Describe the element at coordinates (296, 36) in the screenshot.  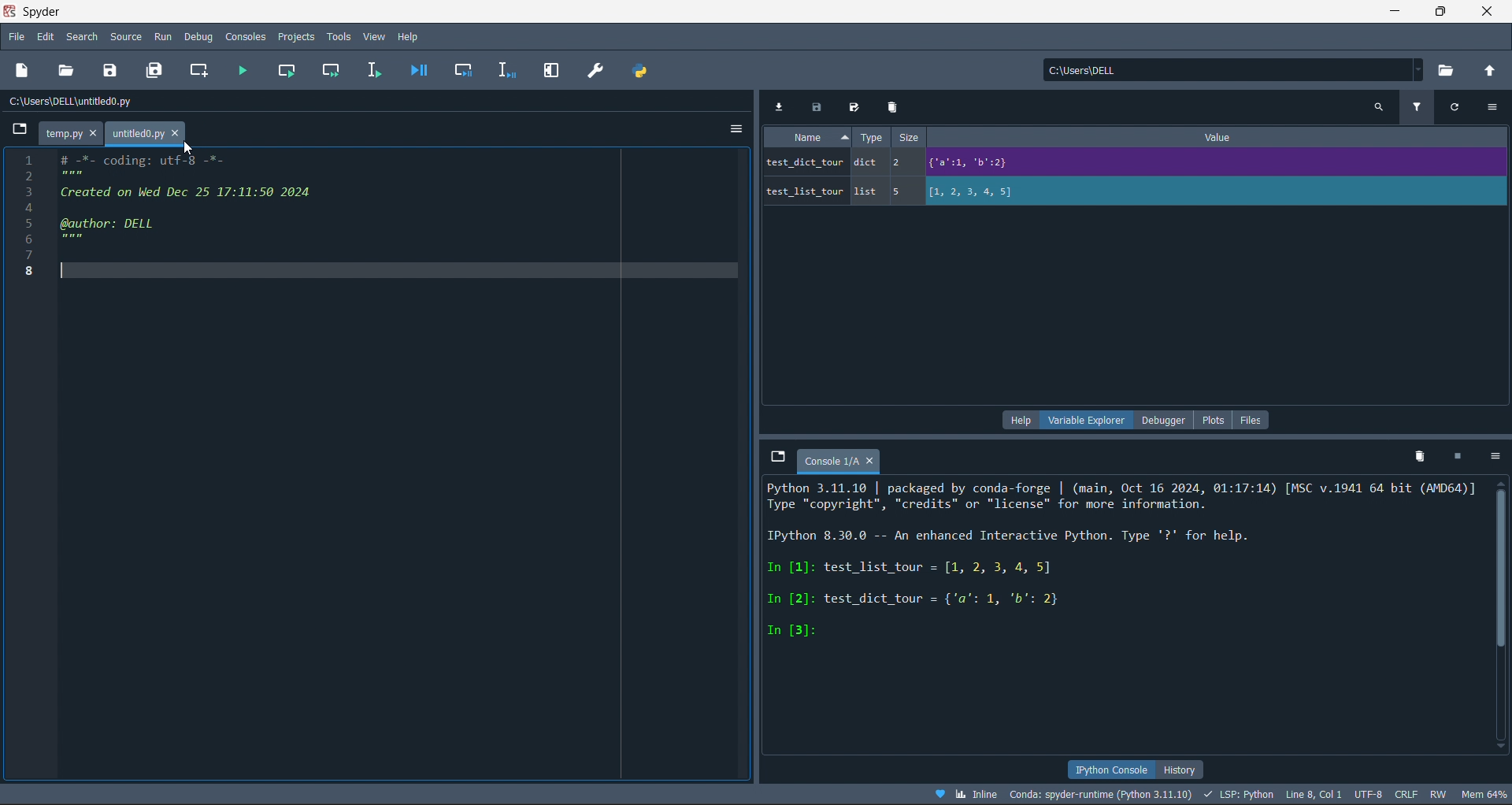
I see `projects` at that location.